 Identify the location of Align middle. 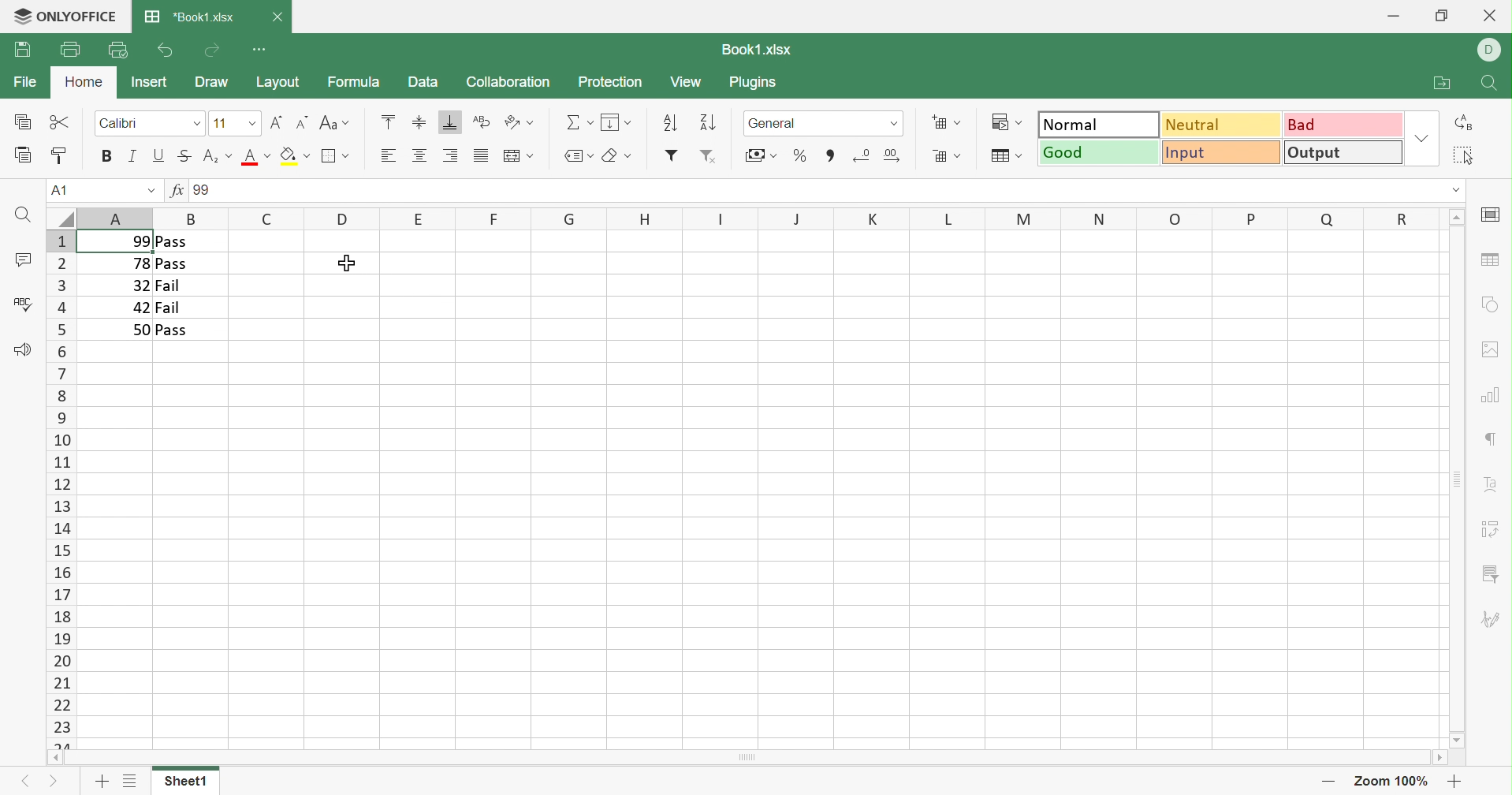
(421, 155).